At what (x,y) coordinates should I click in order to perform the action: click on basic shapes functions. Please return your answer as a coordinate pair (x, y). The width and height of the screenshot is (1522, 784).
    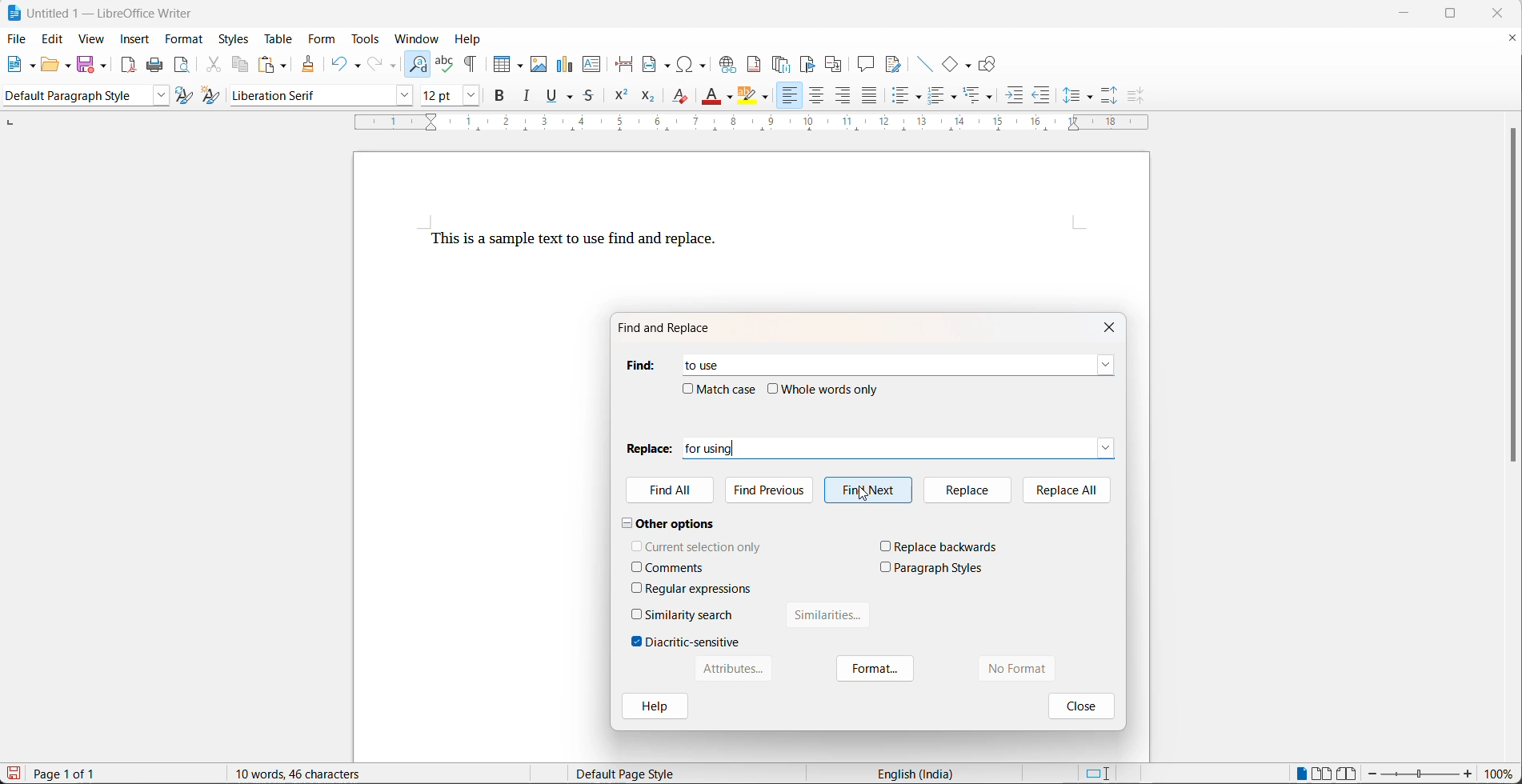
    Looking at the image, I should click on (969, 65).